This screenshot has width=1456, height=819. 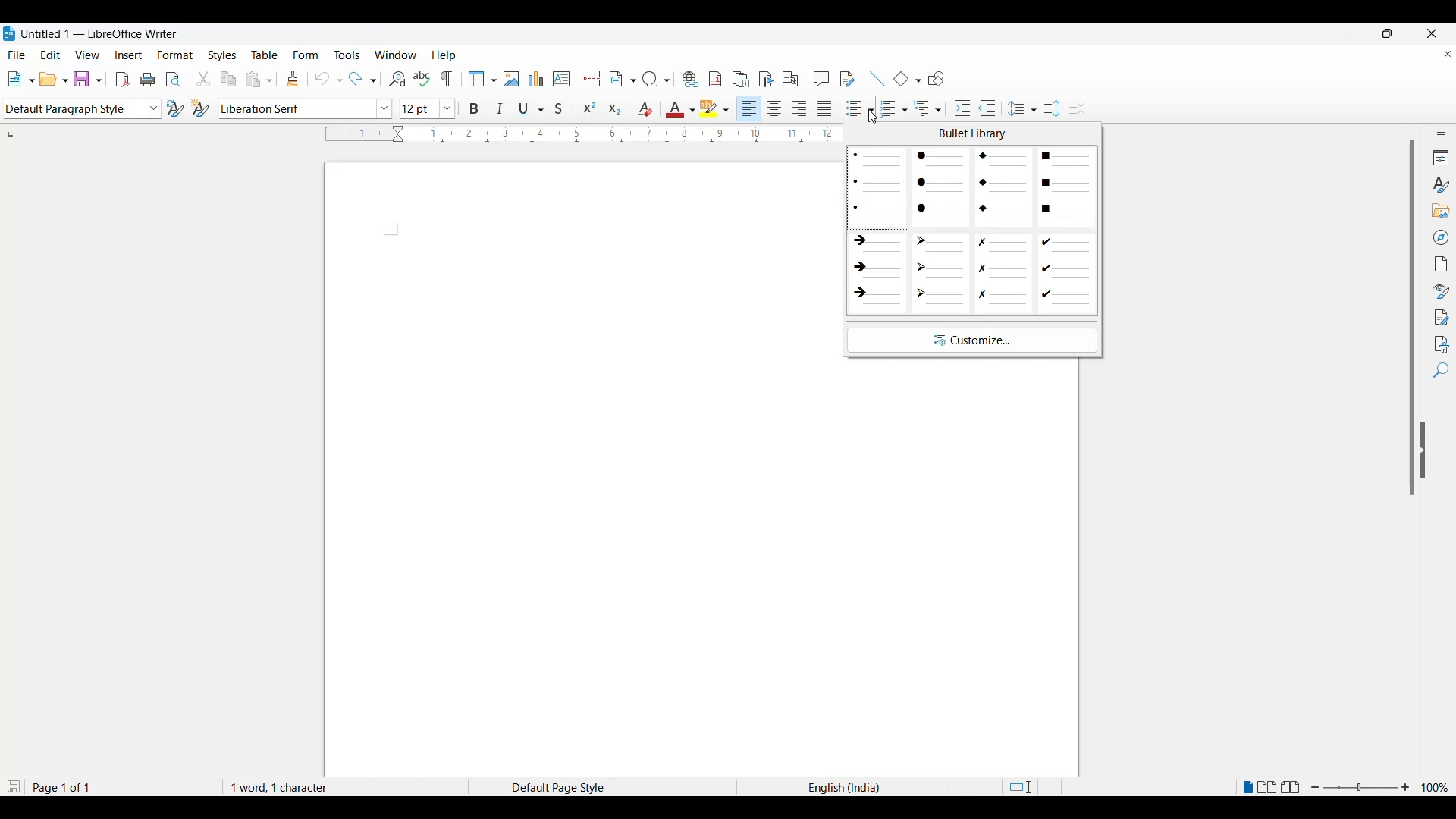 What do you see at coordinates (1247, 785) in the screenshot?
I see `Single page view` at bounding box center [1247, 785].